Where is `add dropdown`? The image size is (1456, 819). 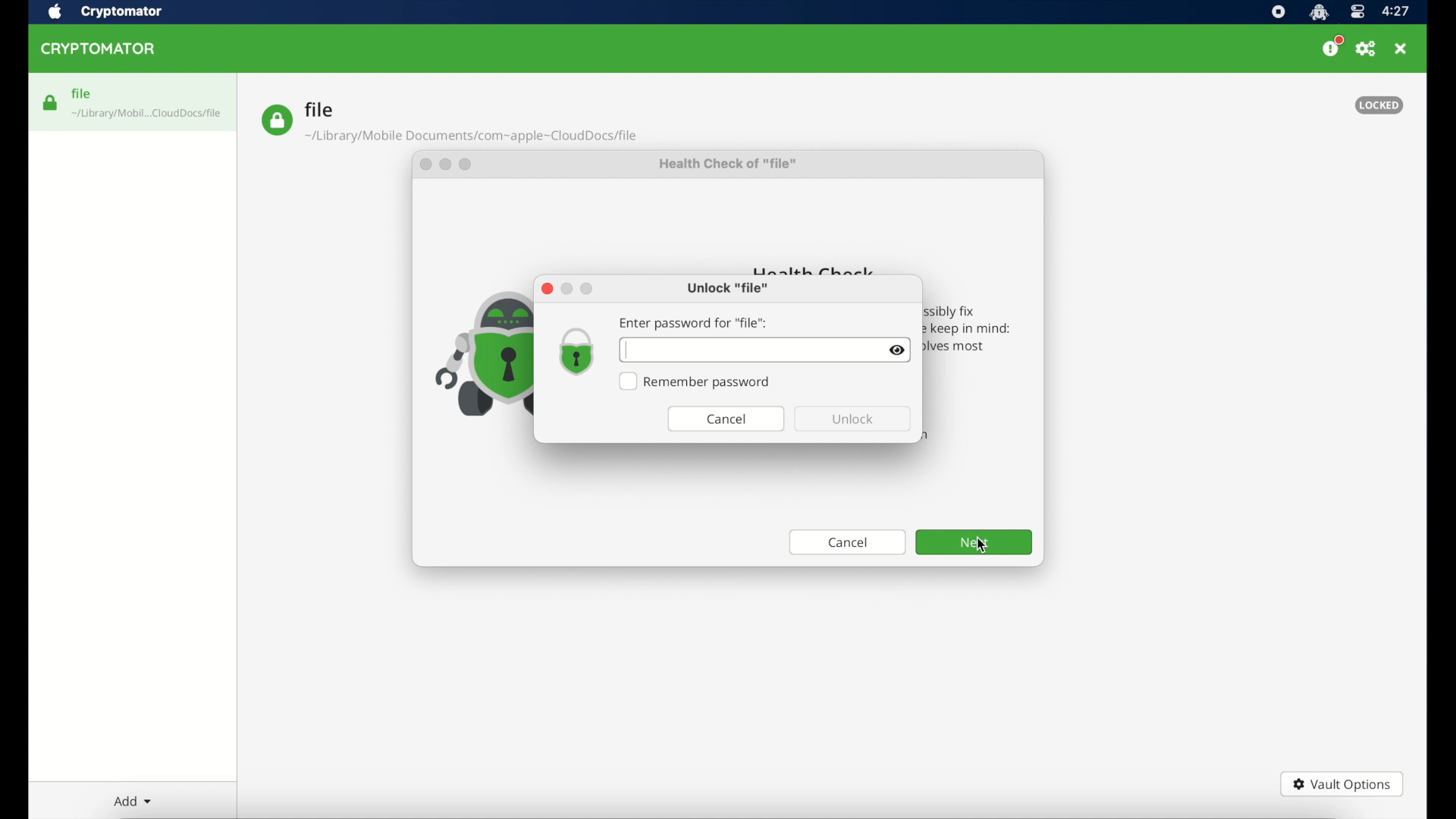 add dropdown is located at coordinates (130, 801).